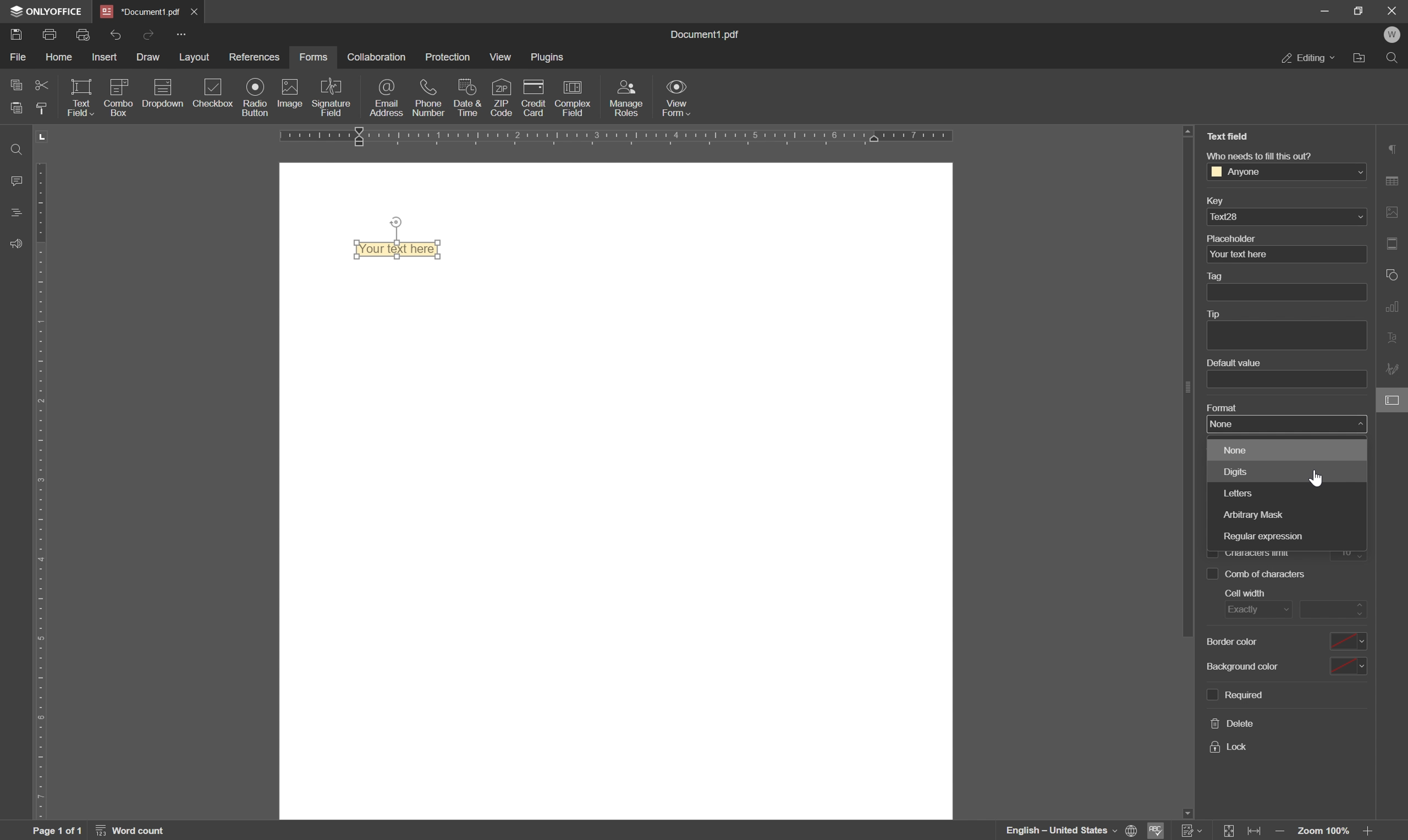 This screenshot has width=1408, height=840. What do you see at coordinates (40, 486) in the screenshot?
I see `ruler` at bounding box center [40, 486].